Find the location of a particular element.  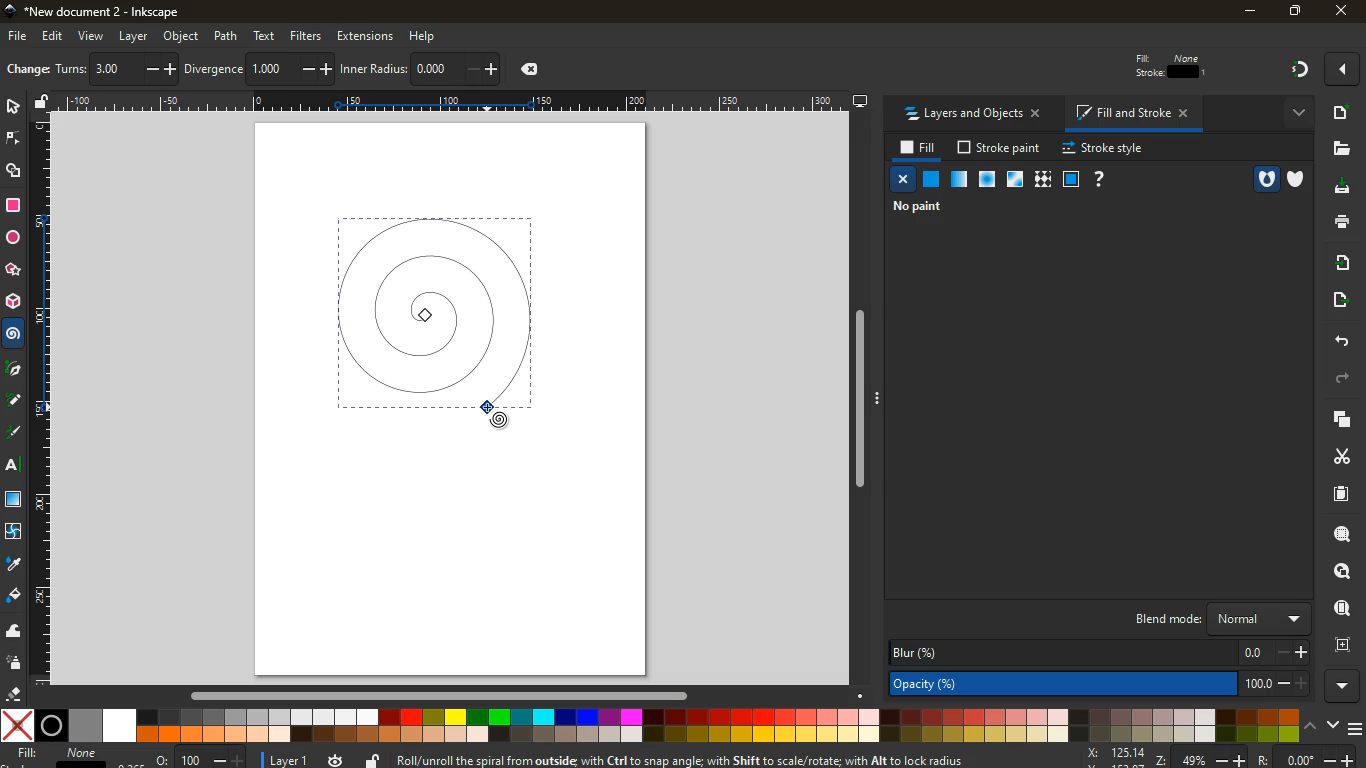

 is located at coordinates (180, 35).